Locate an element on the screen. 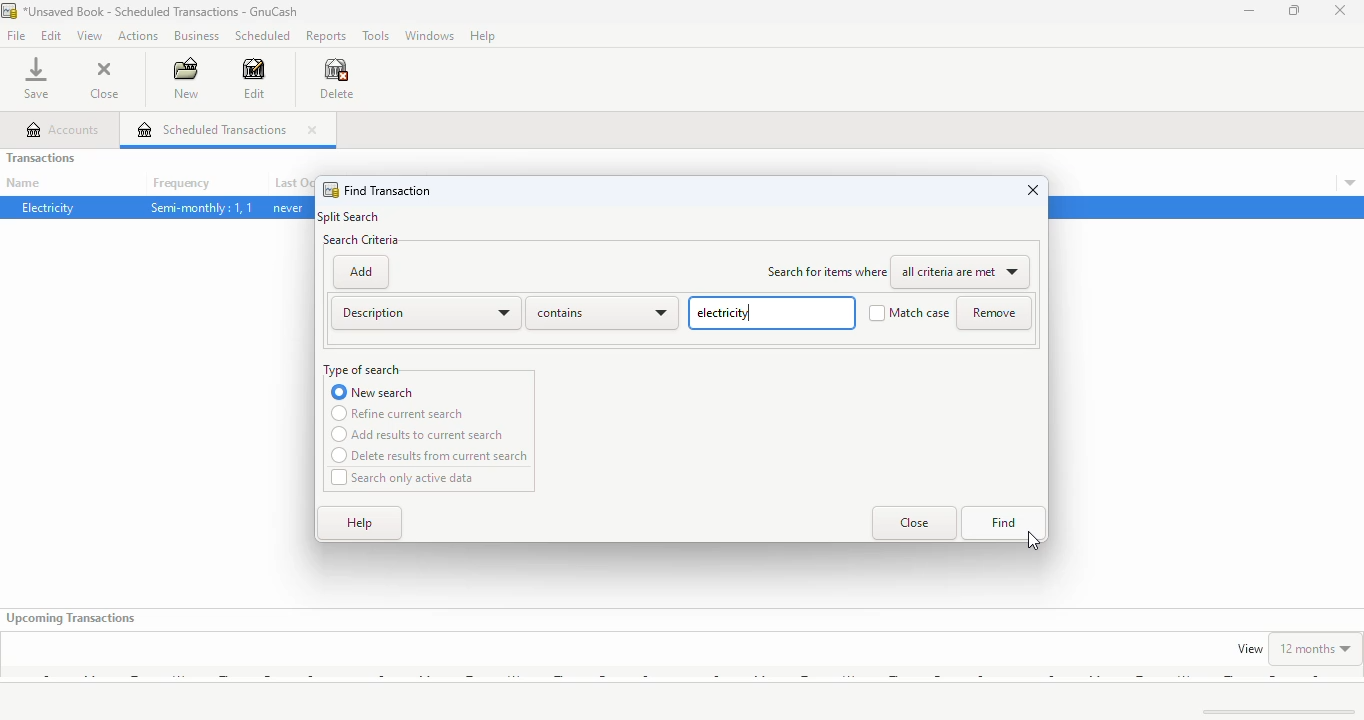 Image resolution: width=1364 pixels, height=720 pixels. split search is located at coordinates (350, 217).